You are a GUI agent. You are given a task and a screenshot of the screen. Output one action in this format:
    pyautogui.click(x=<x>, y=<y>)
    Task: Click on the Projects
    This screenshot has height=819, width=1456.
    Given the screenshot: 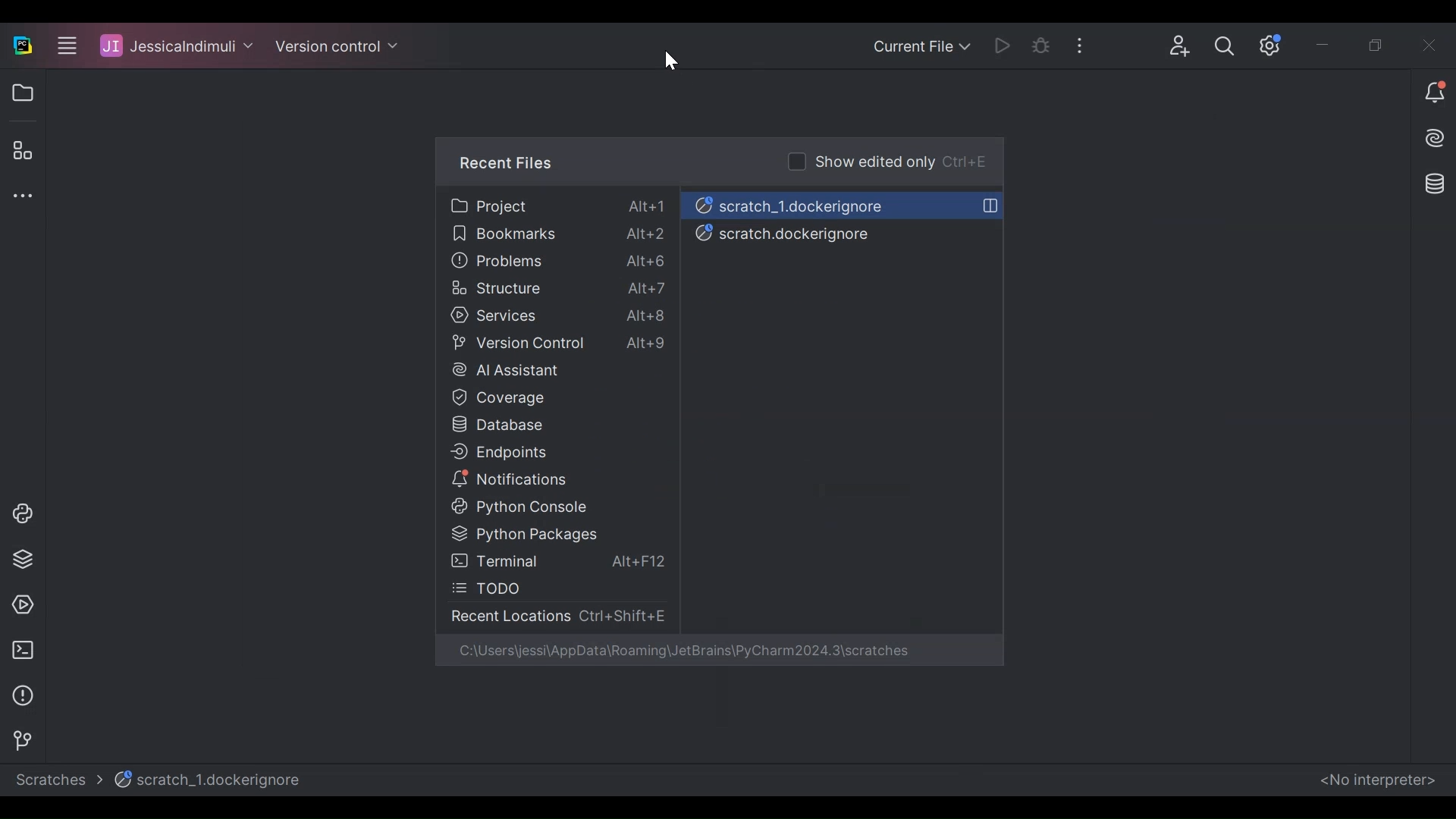 What is the action you would take?
    pyautogui.click(x=560, y=206)
    